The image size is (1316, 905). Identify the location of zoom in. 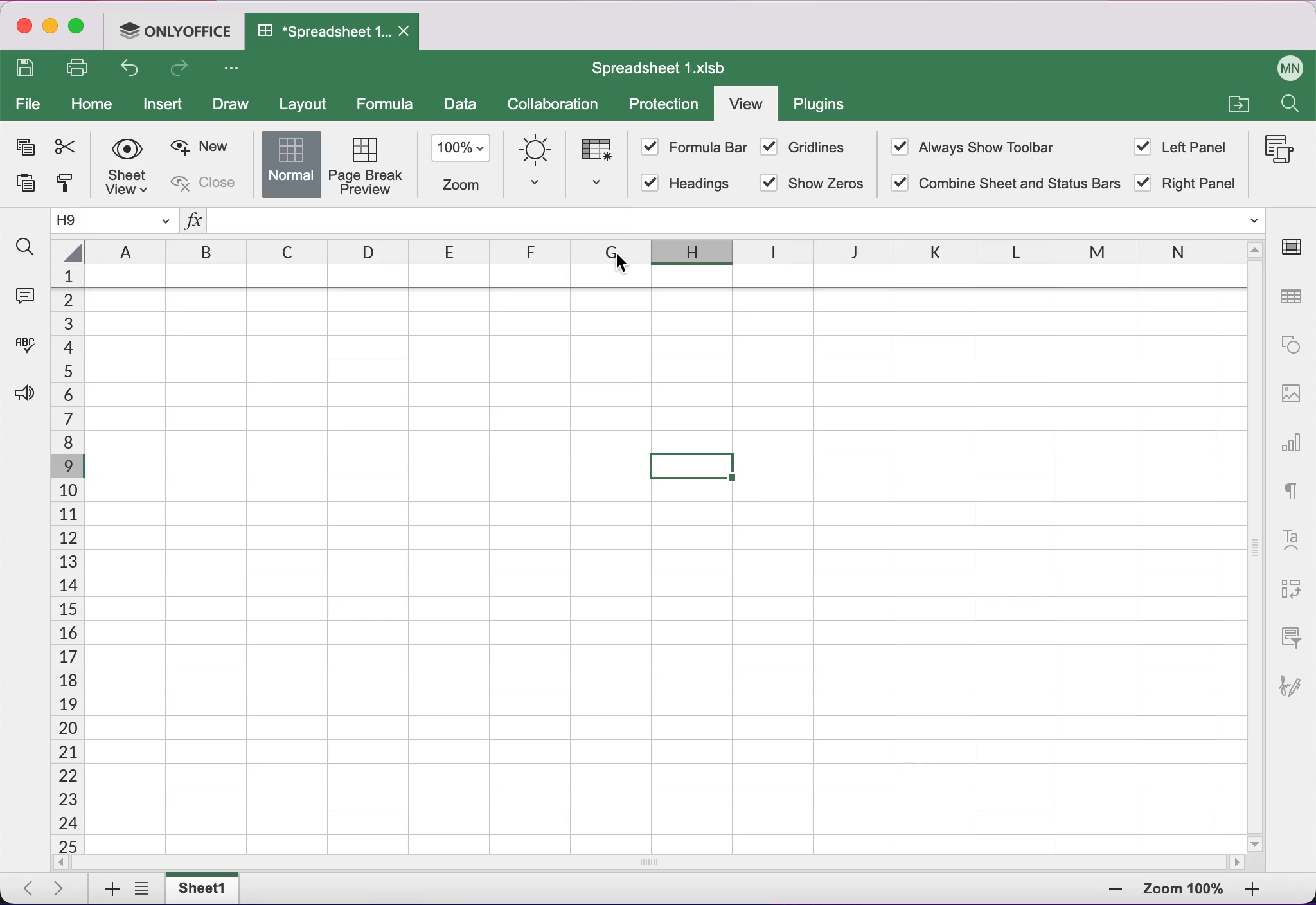
(1103, 892).